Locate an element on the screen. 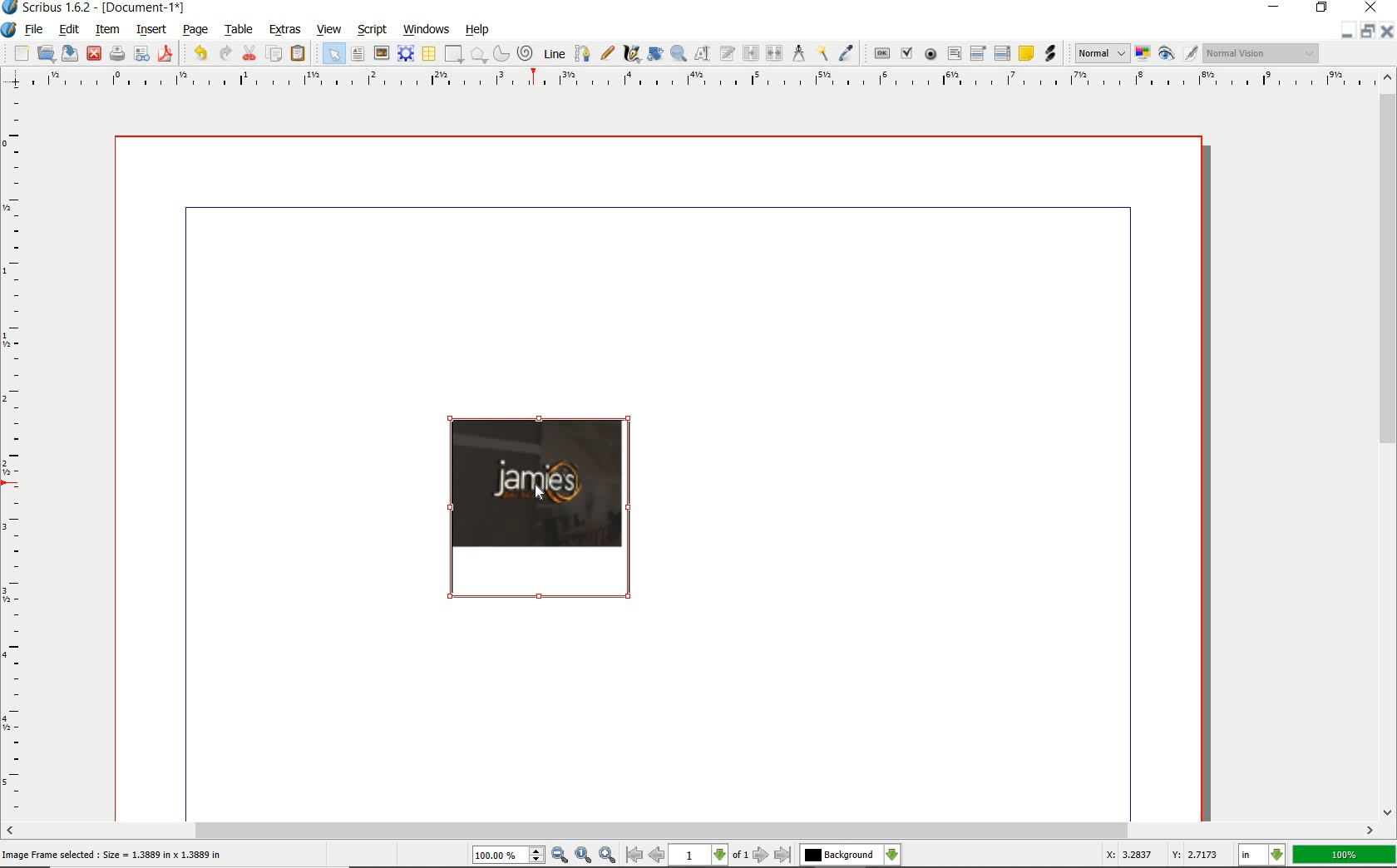 The width and height of the screenshot is (1397, 868). save is located at coordinates (117, 52).